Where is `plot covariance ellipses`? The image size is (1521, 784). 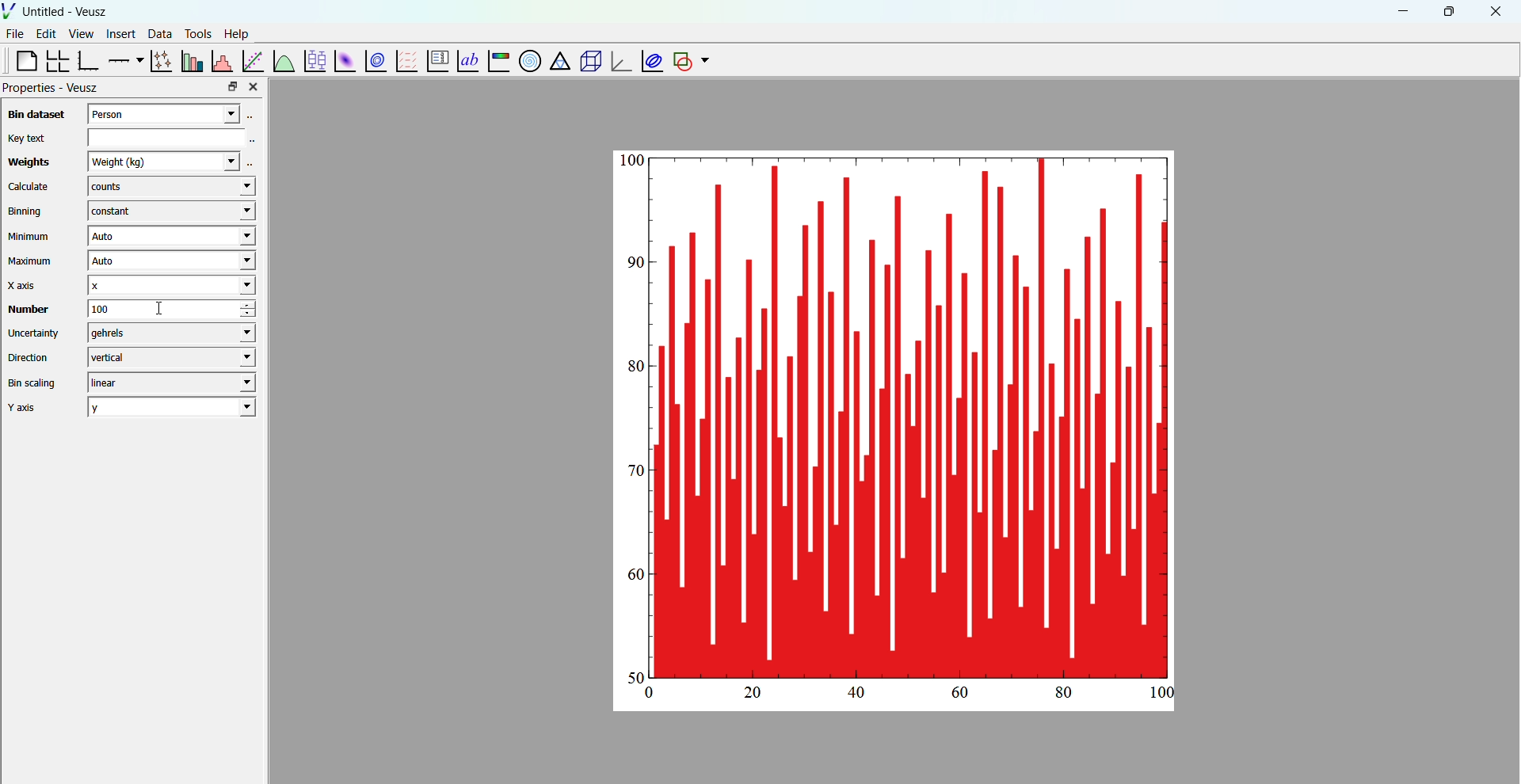 plot covariance ellipses is located at coordinates (650, 60).